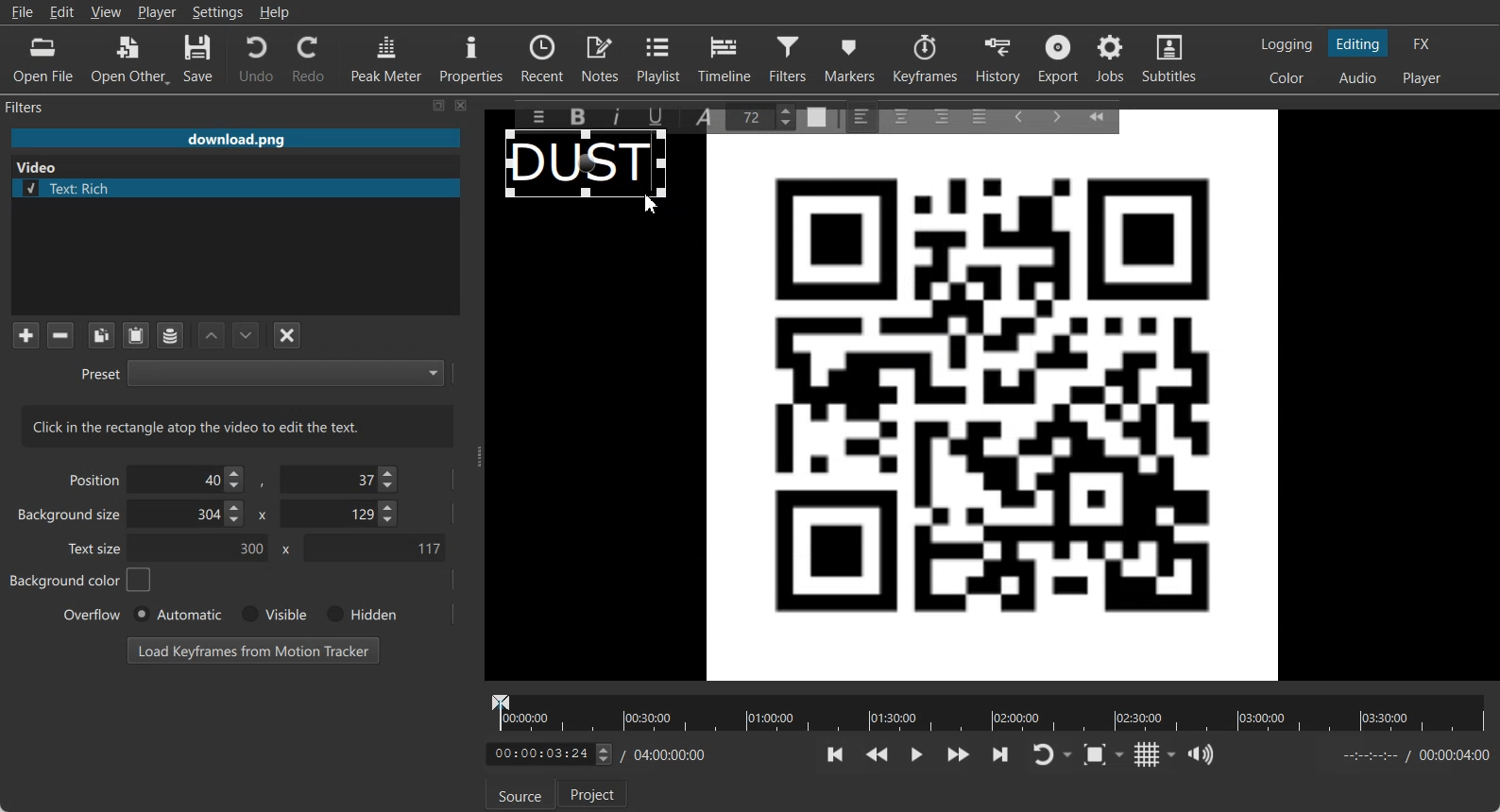  What do you see at coordinates (1423, 43) in the screenshot?
I see `Switching to the Effect layout` at bounding box center [1423, 43].